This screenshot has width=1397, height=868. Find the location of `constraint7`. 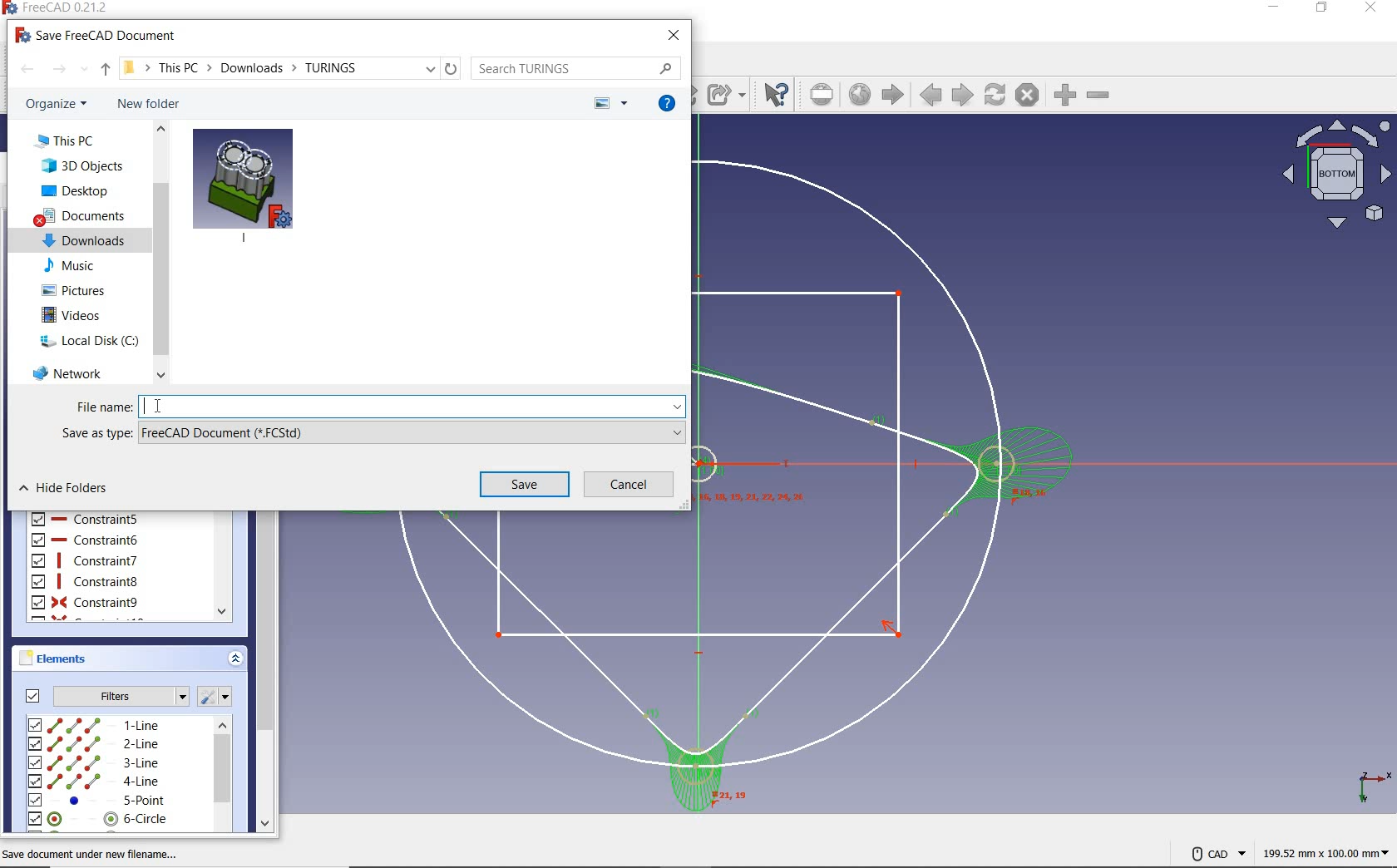

constraint7 is located at coordinates (84, 560).